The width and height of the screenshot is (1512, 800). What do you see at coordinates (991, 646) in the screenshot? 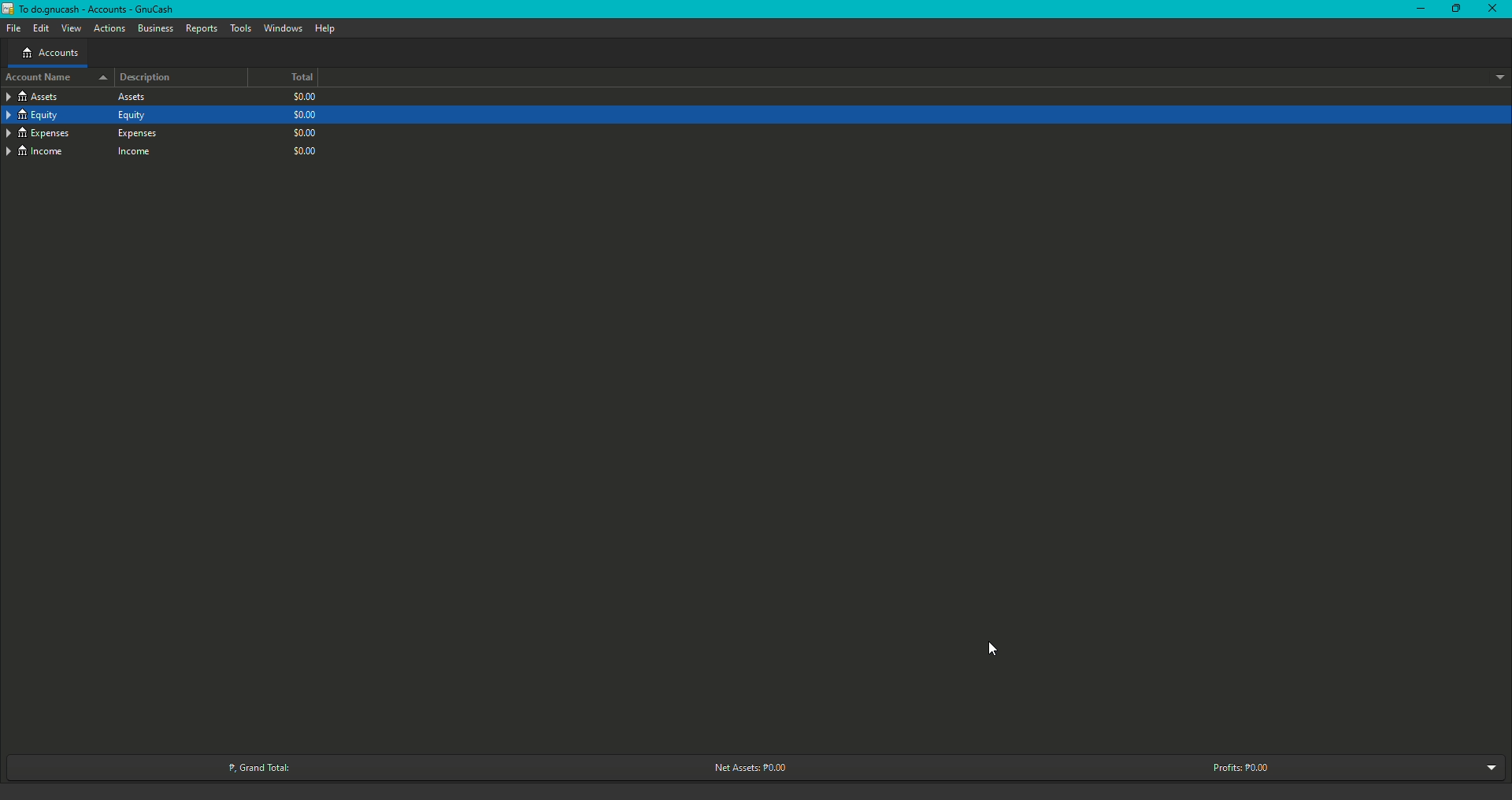
I see `Cursor` at bounding box center [991, 646].